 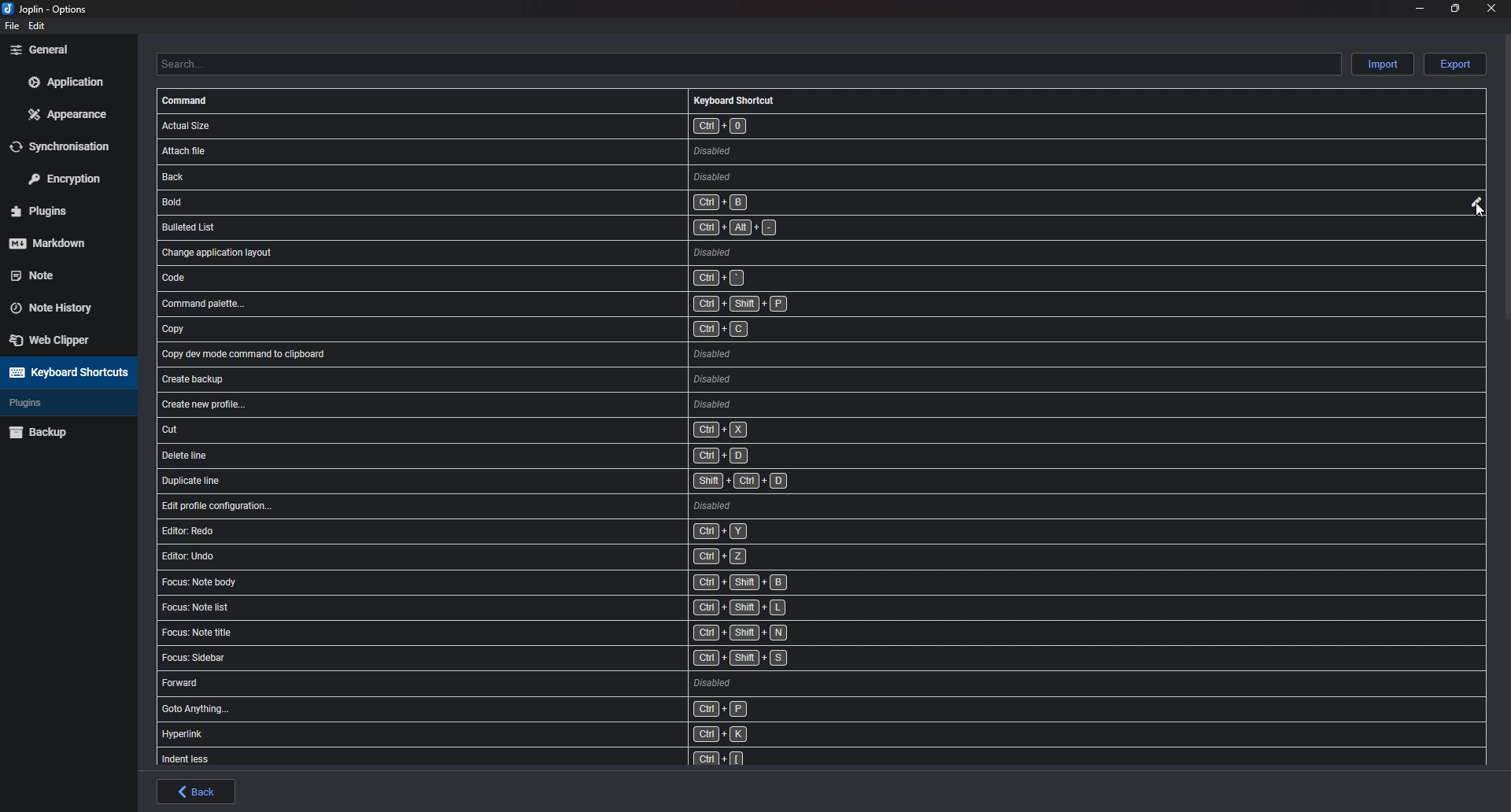 What do you see at coordinates (517, 609) in the screenshot?
I see `shortcut` at bounding box center [517, 609].